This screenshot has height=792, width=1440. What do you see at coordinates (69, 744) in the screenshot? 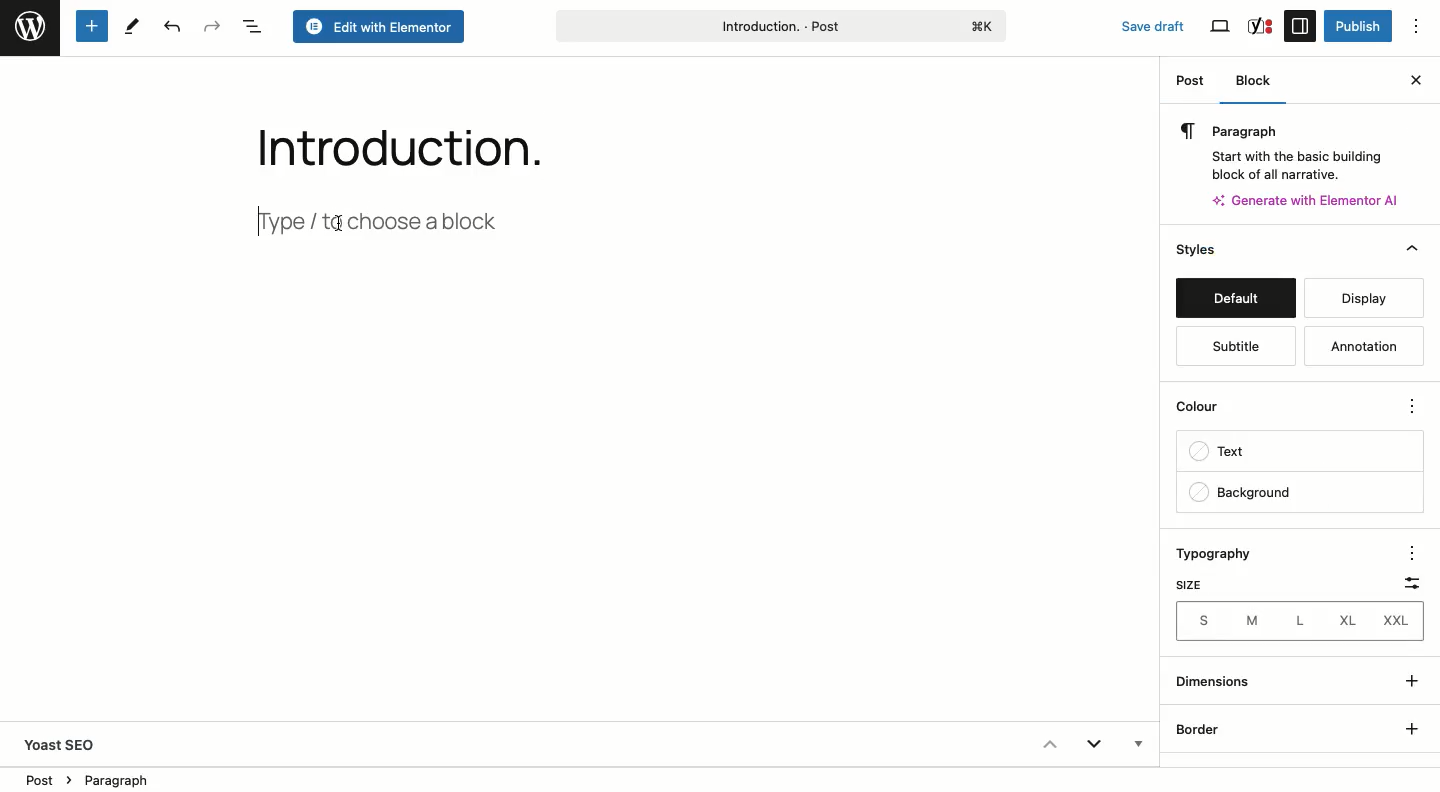
I see `Yoast SEO` at bounding box center [69, 744].